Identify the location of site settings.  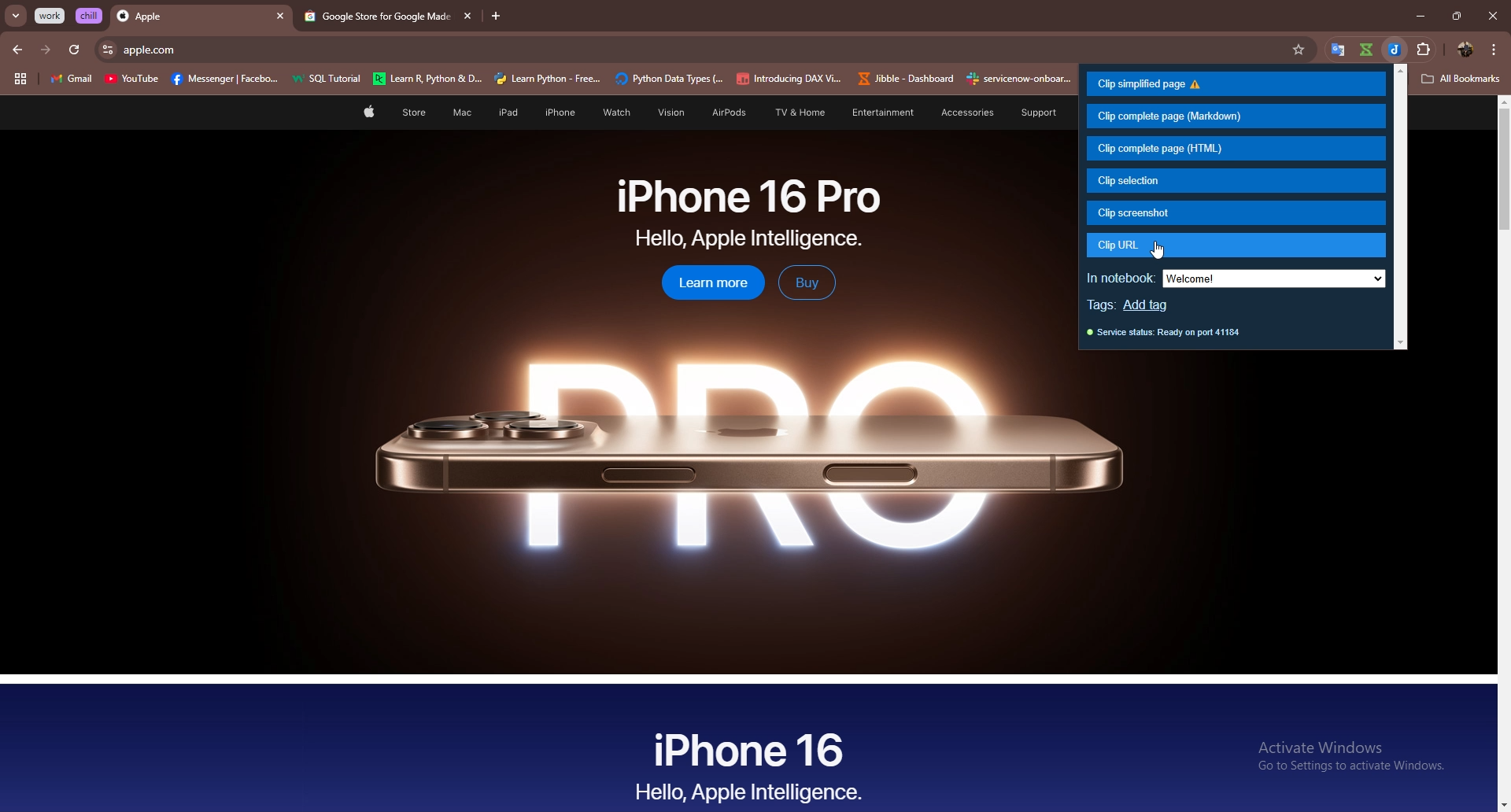
(106, 50).